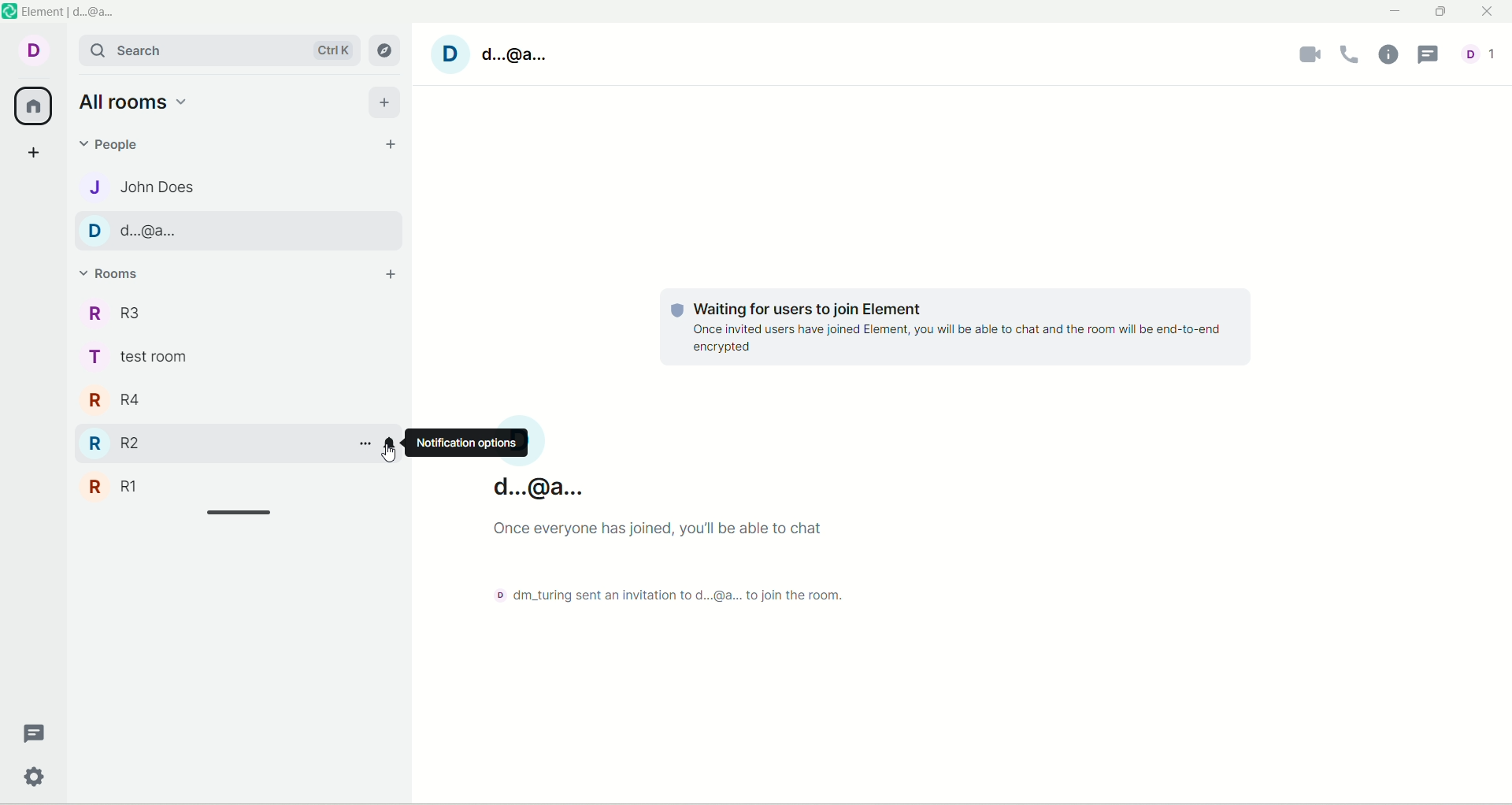 The image size is (1512, 805). What do you see at coordinates (1396, 12) in the screenshot?
I see `minimize` at bounding box center [1396, 12].